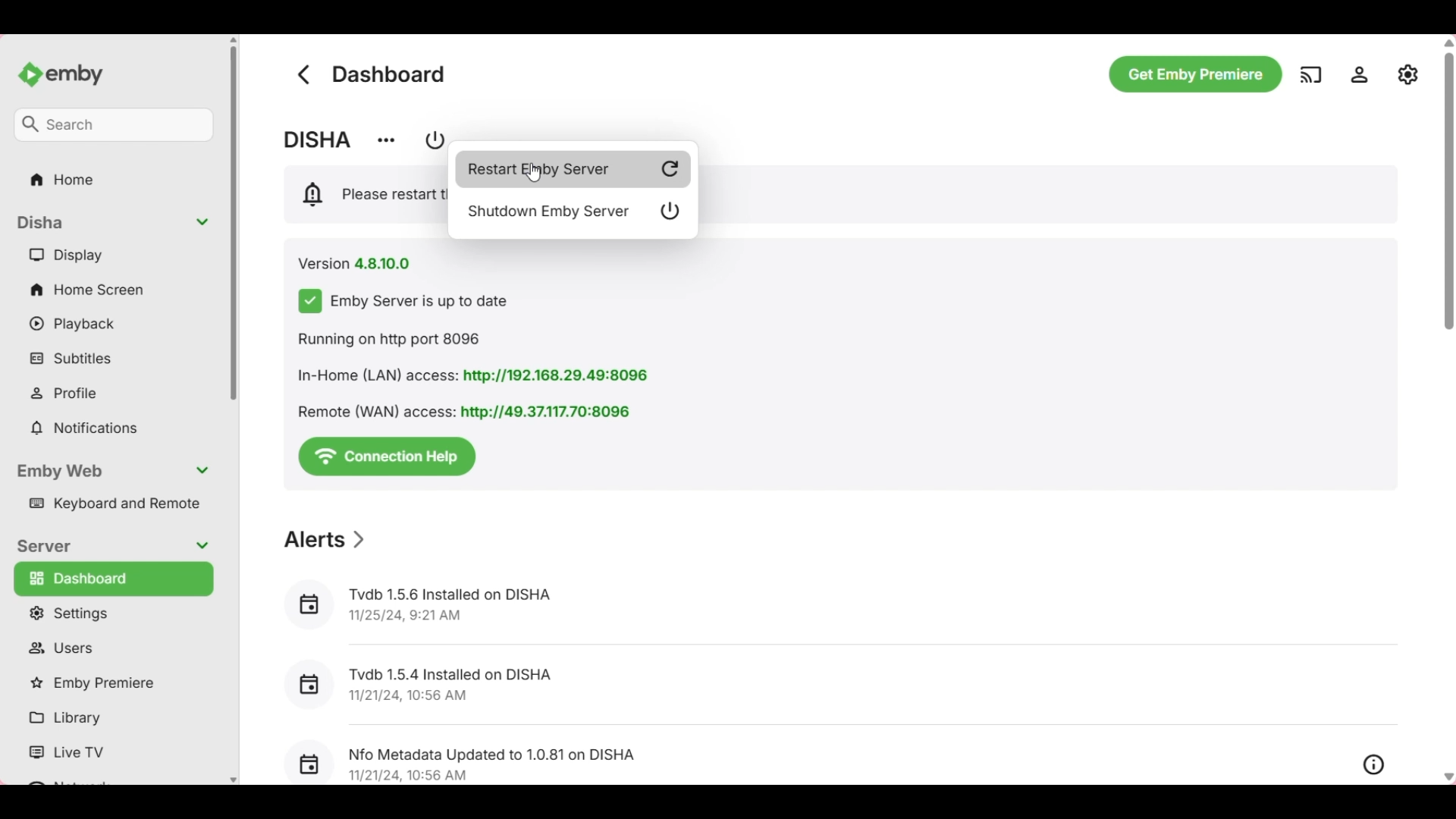  I want to click on Restart Emby server, highlighted, so click(574, 170).